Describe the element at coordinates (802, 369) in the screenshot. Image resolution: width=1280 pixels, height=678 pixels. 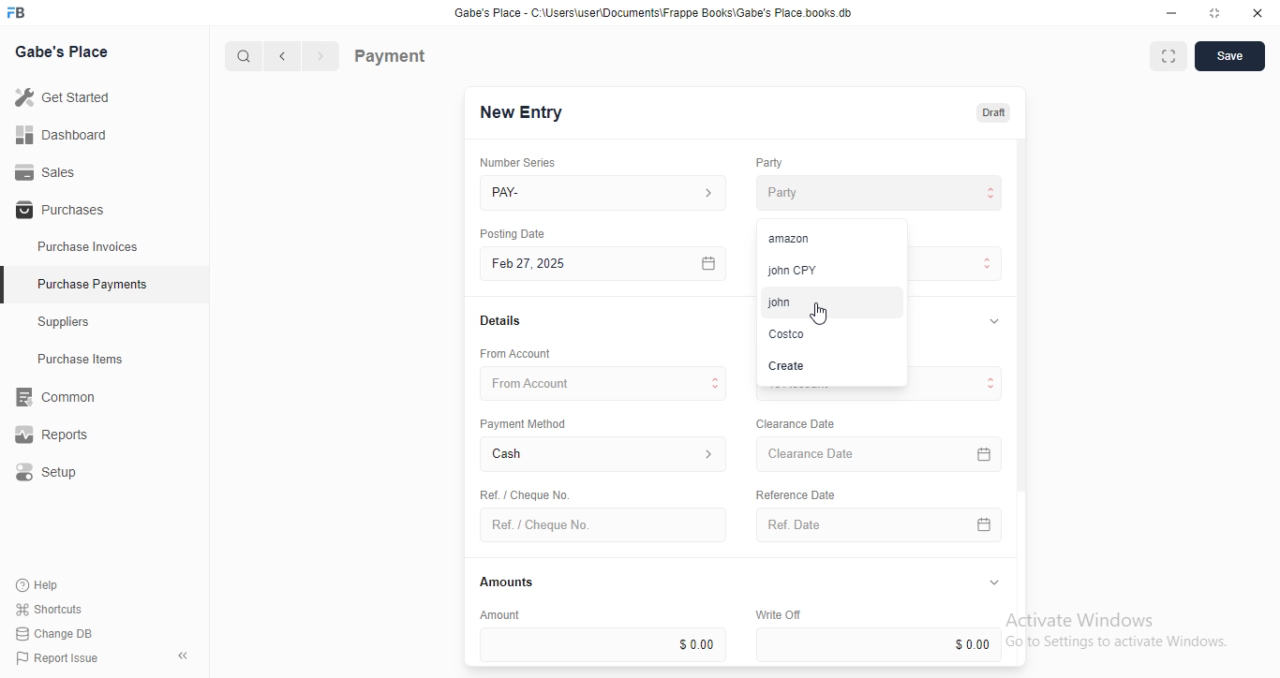
I see `Create` at that location.